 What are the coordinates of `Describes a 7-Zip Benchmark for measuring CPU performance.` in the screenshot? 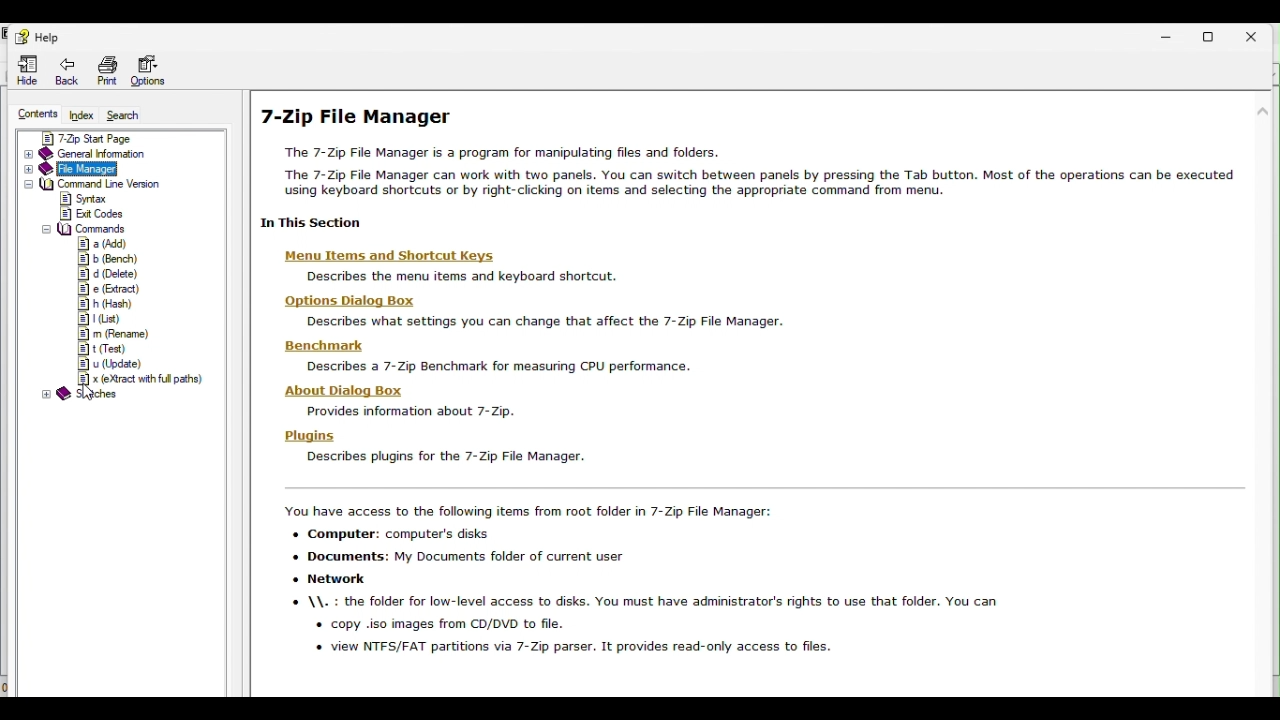 It's located at (507, 368).